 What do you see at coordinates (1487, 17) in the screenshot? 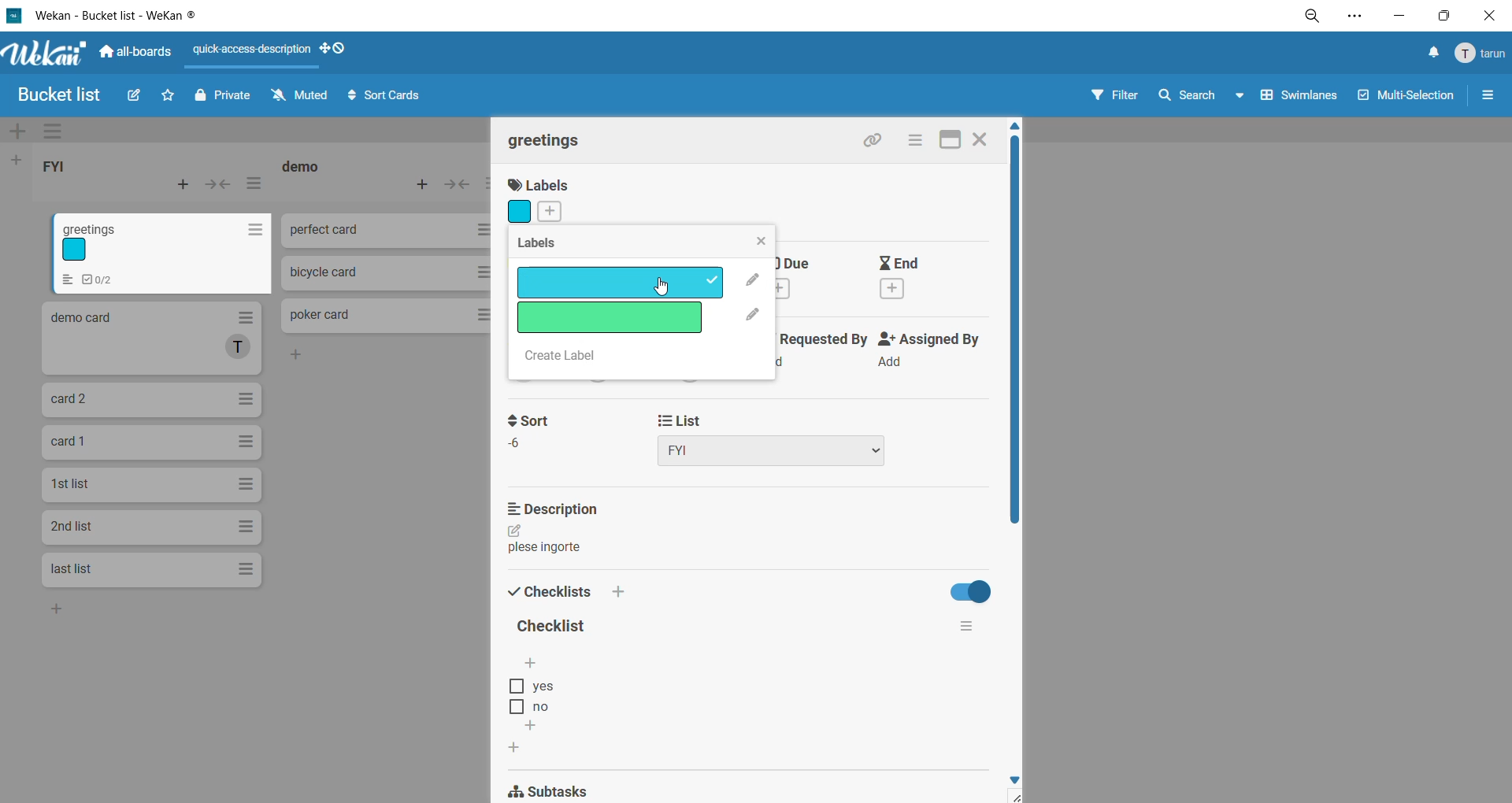
I see `close` at bounding box center [1487, 17].